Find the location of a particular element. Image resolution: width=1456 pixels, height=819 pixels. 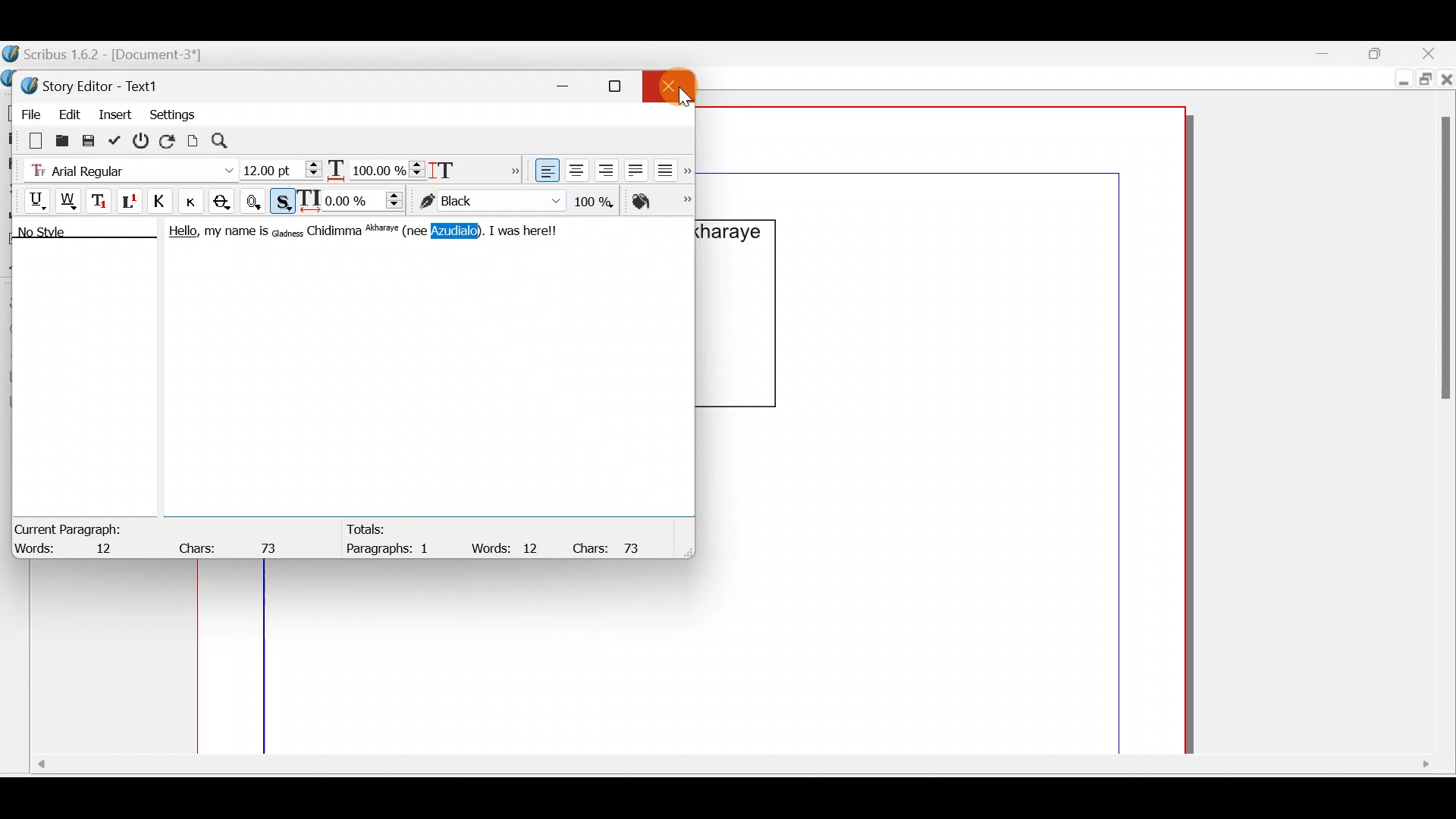

All caps is located at coordinates (163, 203).